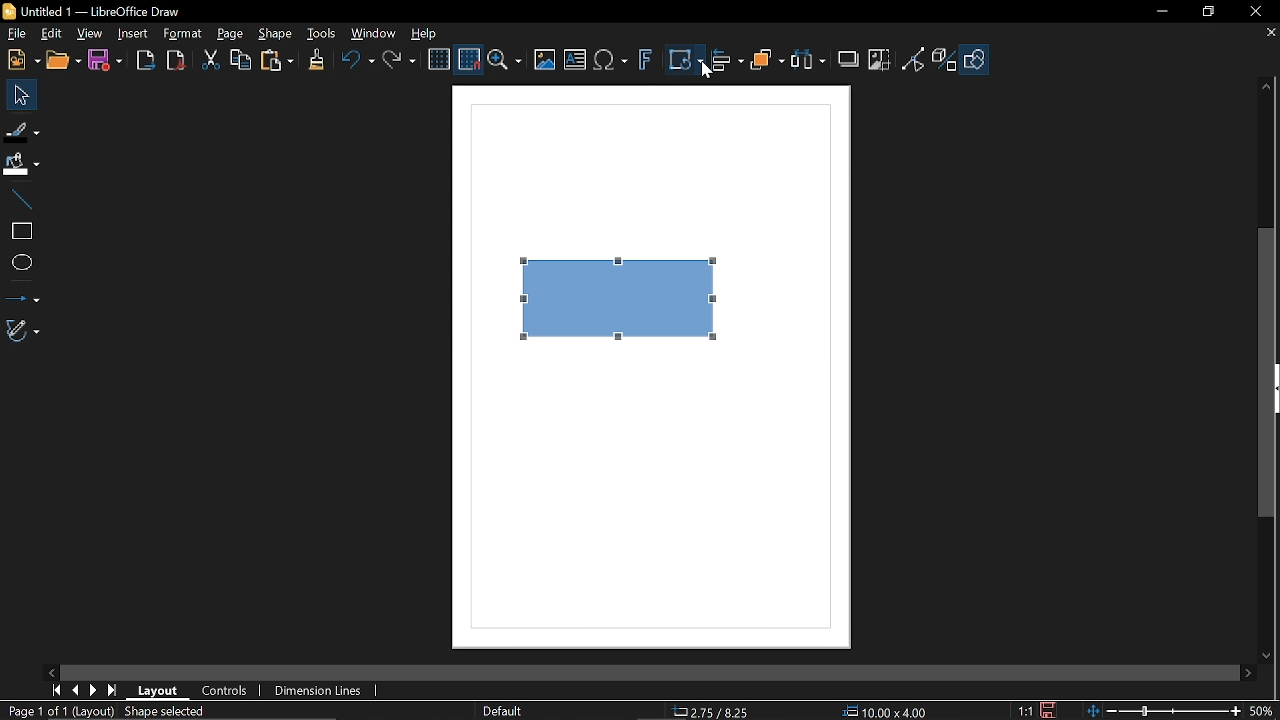 The width and height of the screenshot is (1280, 720). Describe the element at coordinates (886, 713) in the screenshot. I see `10.00x4.00(Object Size)` at that location.